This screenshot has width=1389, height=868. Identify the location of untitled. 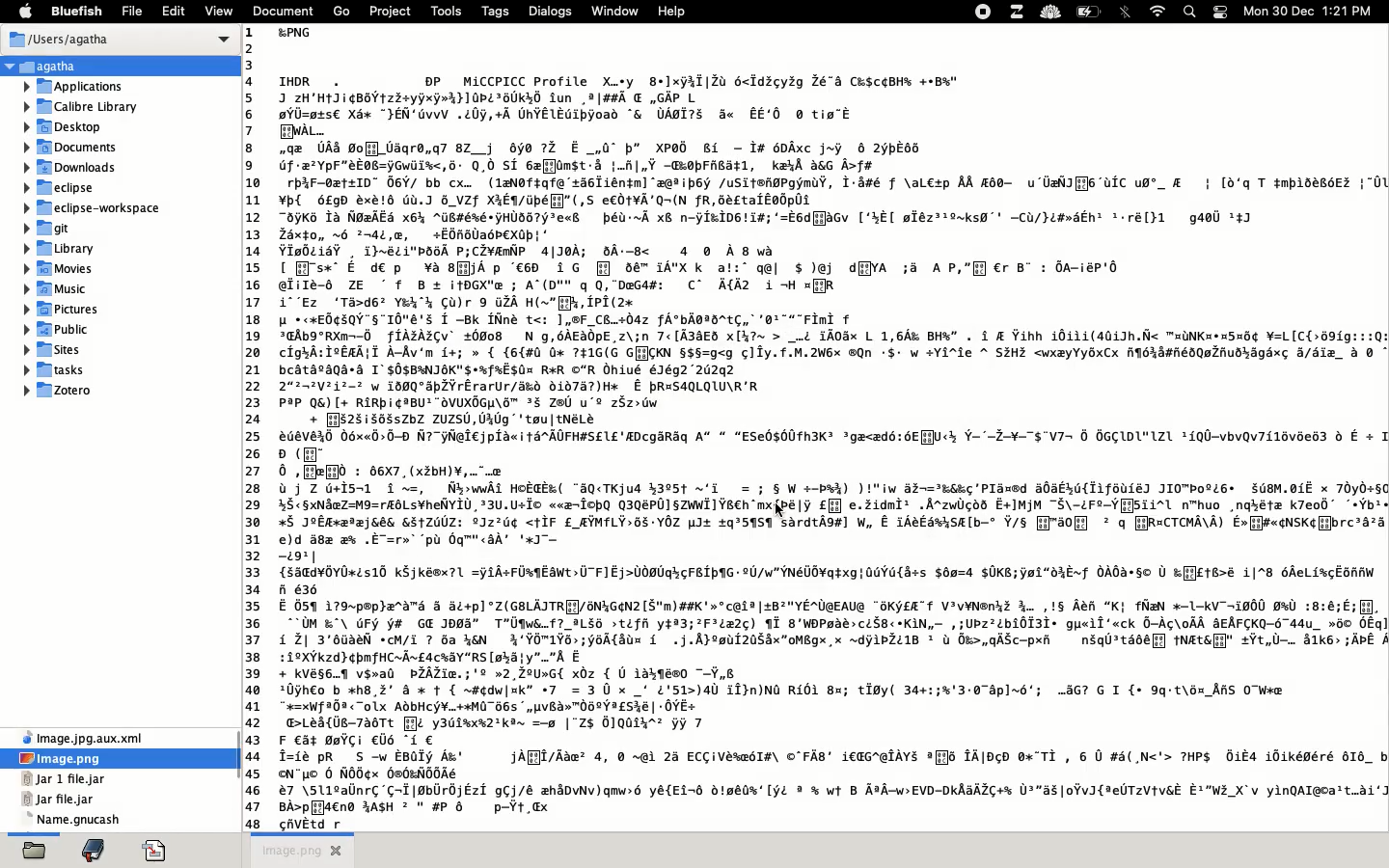
(288, 851).